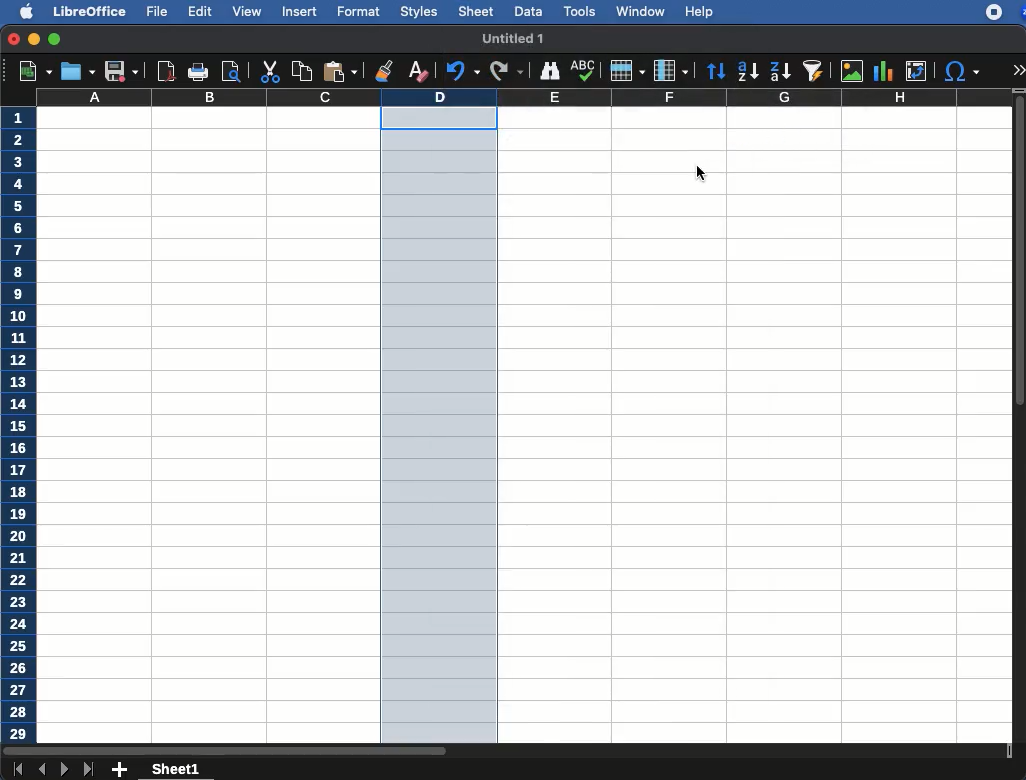  What do you see at coordinates (90, 770) in the screenshot?
I see `last sheet` at bounding box center [90, 770].